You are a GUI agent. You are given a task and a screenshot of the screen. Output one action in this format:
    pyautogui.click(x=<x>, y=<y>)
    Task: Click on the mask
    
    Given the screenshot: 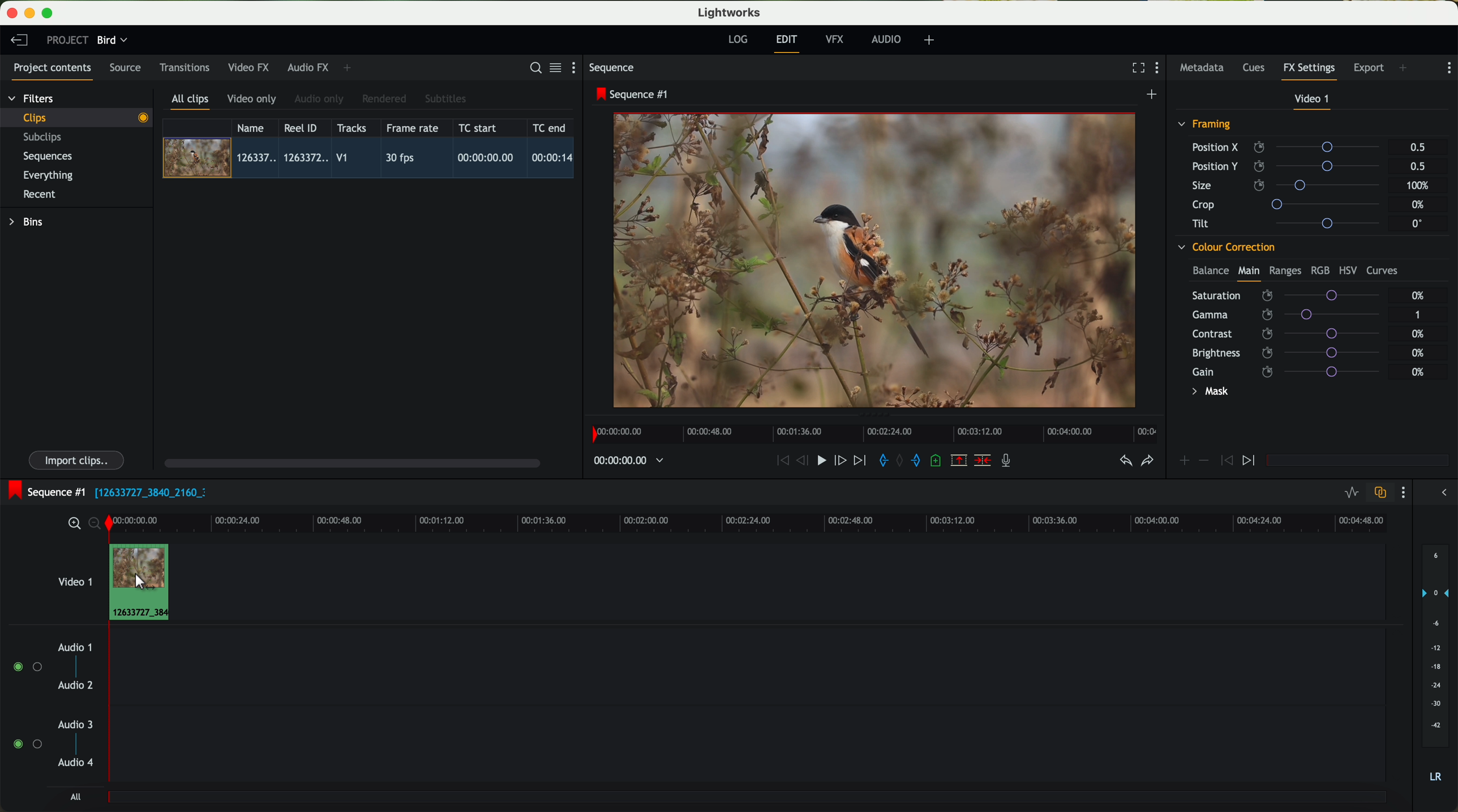 What is the action you would take?
    pyautogui.click(x=1208, y=393)
    